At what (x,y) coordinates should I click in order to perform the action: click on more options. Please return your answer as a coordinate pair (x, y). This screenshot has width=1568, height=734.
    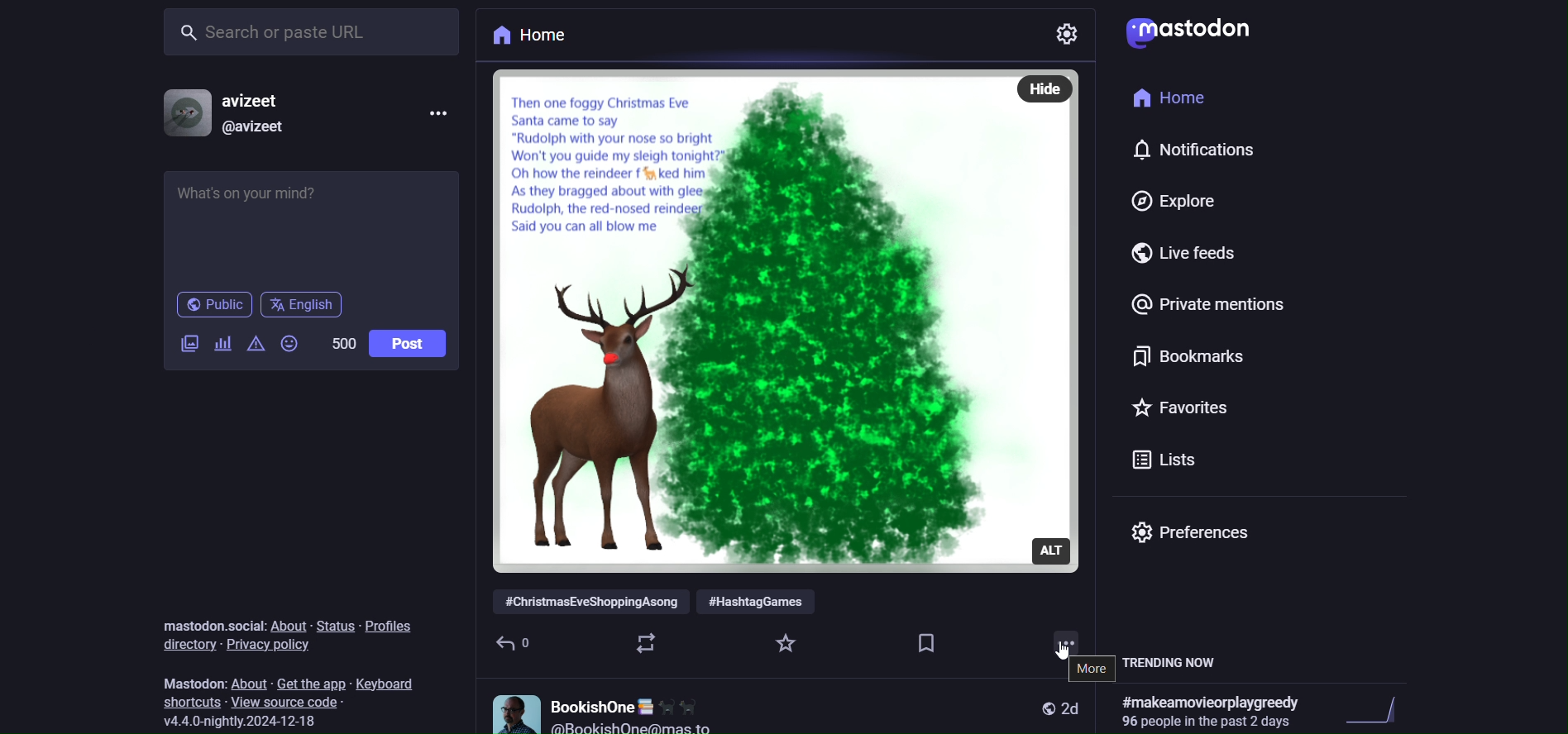
    Looking at the image, I should click on (1069, 631).